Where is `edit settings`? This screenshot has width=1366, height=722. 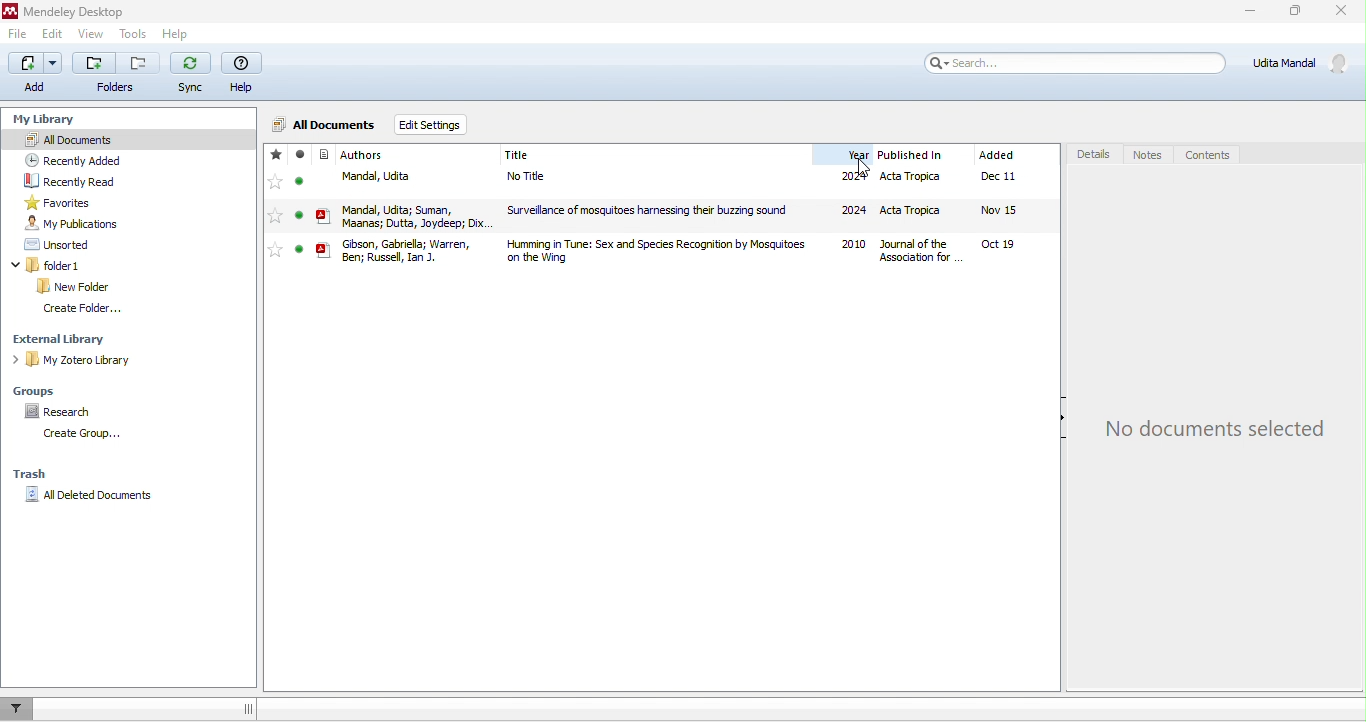 edit settings is located at coordinates (463, 126).